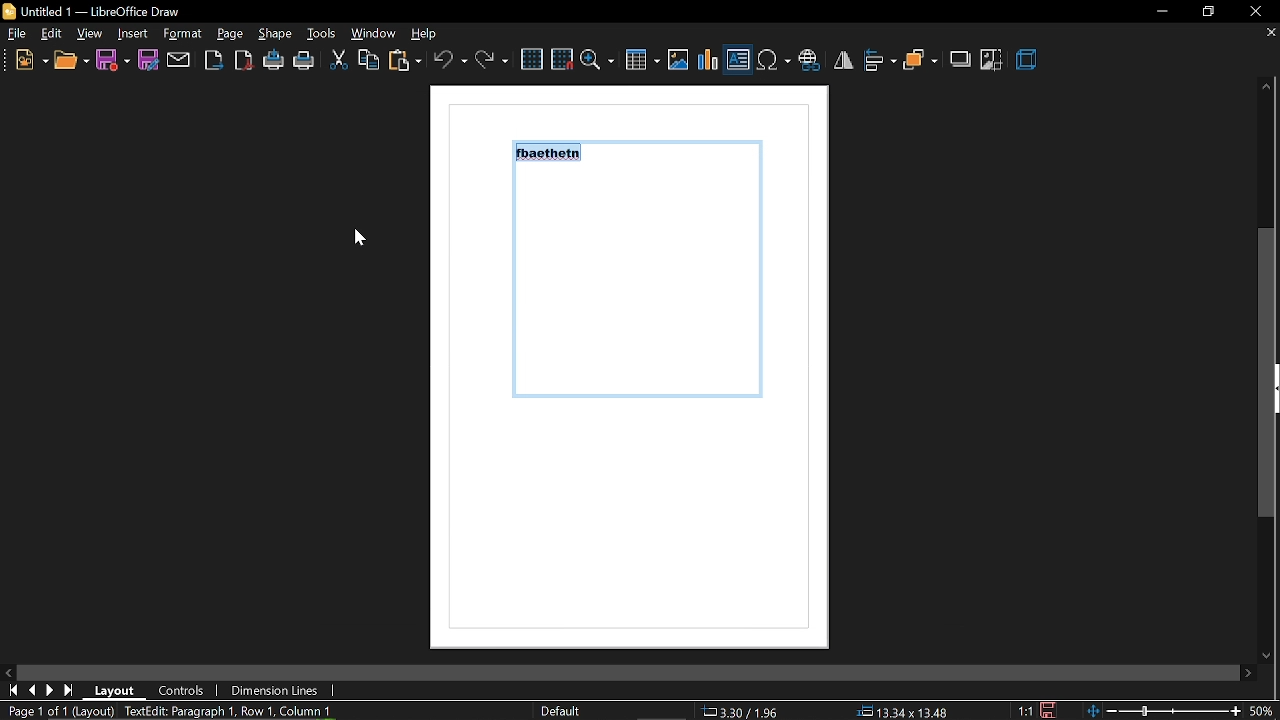 This screenshot has width=1280, height=720. Describe the element at coordinates (274, 59) in the screenshot. I see `print directly` at that location.